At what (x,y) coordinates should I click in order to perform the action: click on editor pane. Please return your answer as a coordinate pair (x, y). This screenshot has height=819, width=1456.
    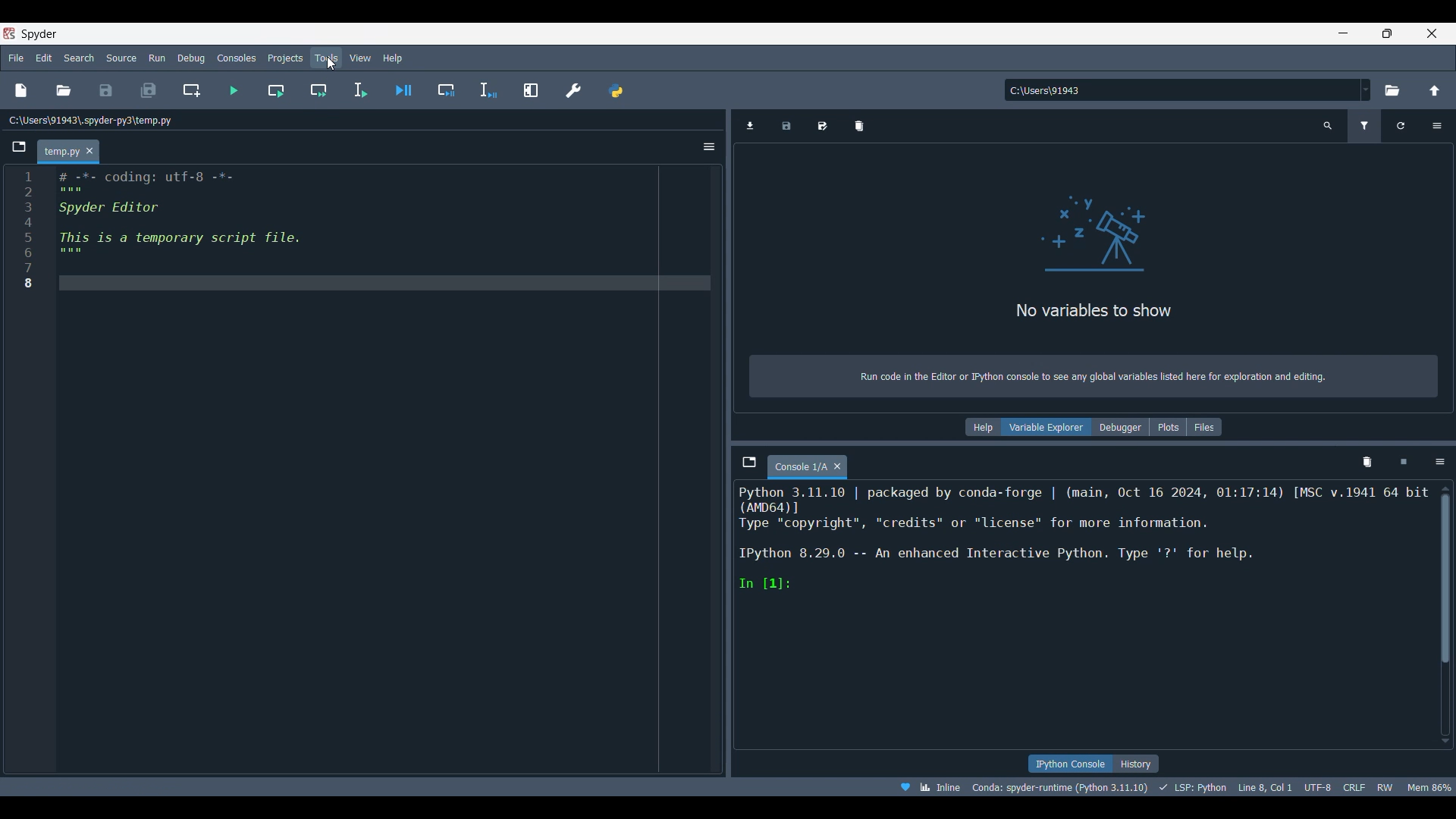
    Looking at the image, I should click on (338, 232).